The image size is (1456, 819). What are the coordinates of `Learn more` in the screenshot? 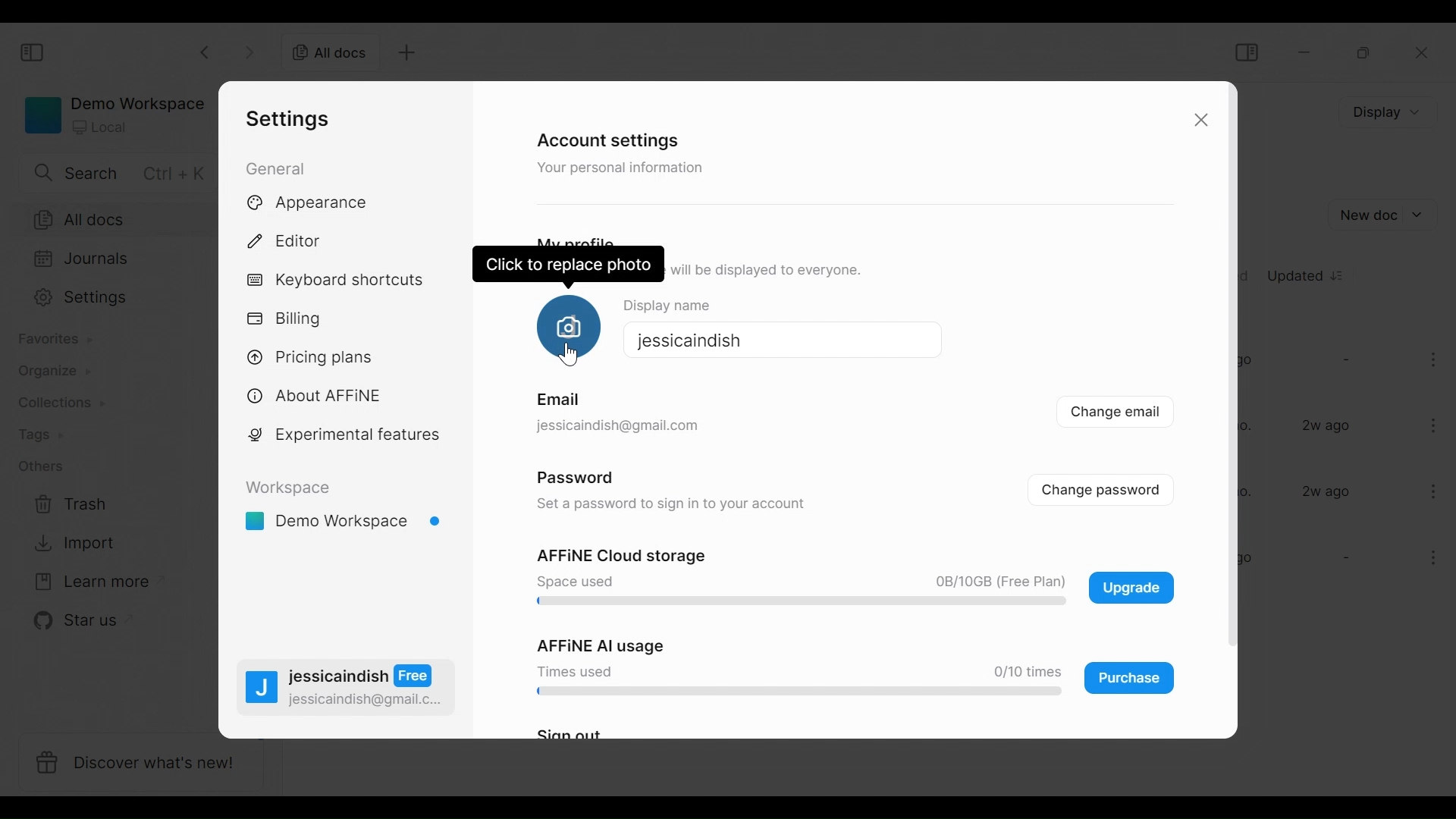 It's located at (87, 582).